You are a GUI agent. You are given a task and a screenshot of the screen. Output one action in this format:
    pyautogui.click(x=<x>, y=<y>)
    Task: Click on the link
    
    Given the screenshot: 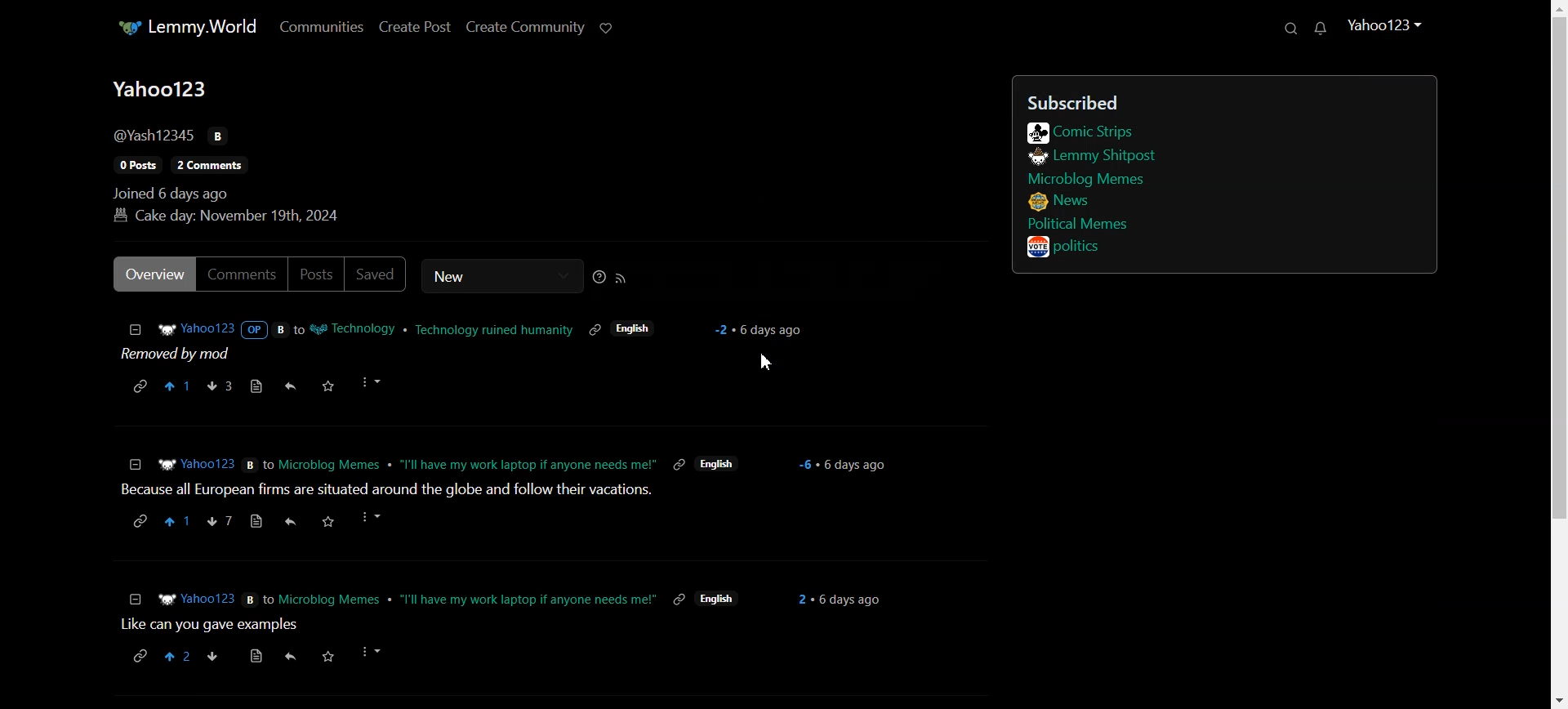 What is the action you would take?
    pyautogui.click(x=678, y=599)
    